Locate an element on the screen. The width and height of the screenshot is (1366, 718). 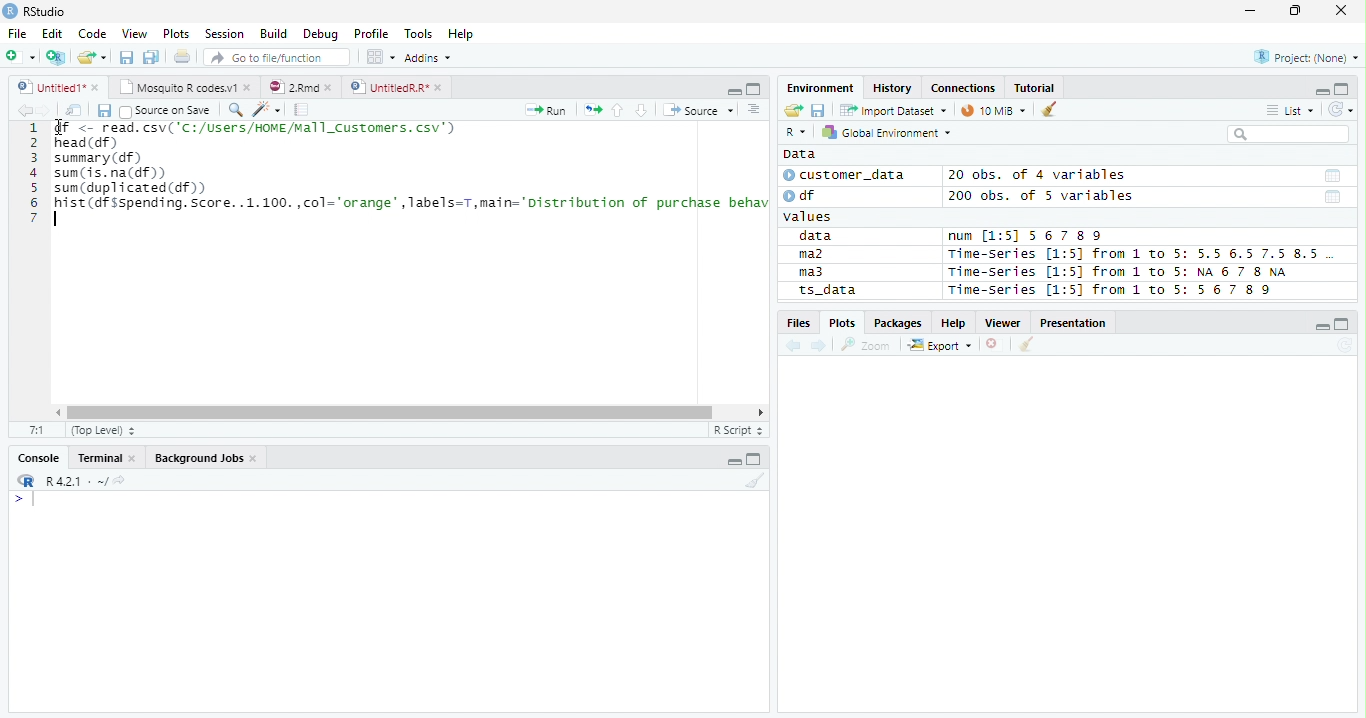
Code is located at coordinates (94, 34).